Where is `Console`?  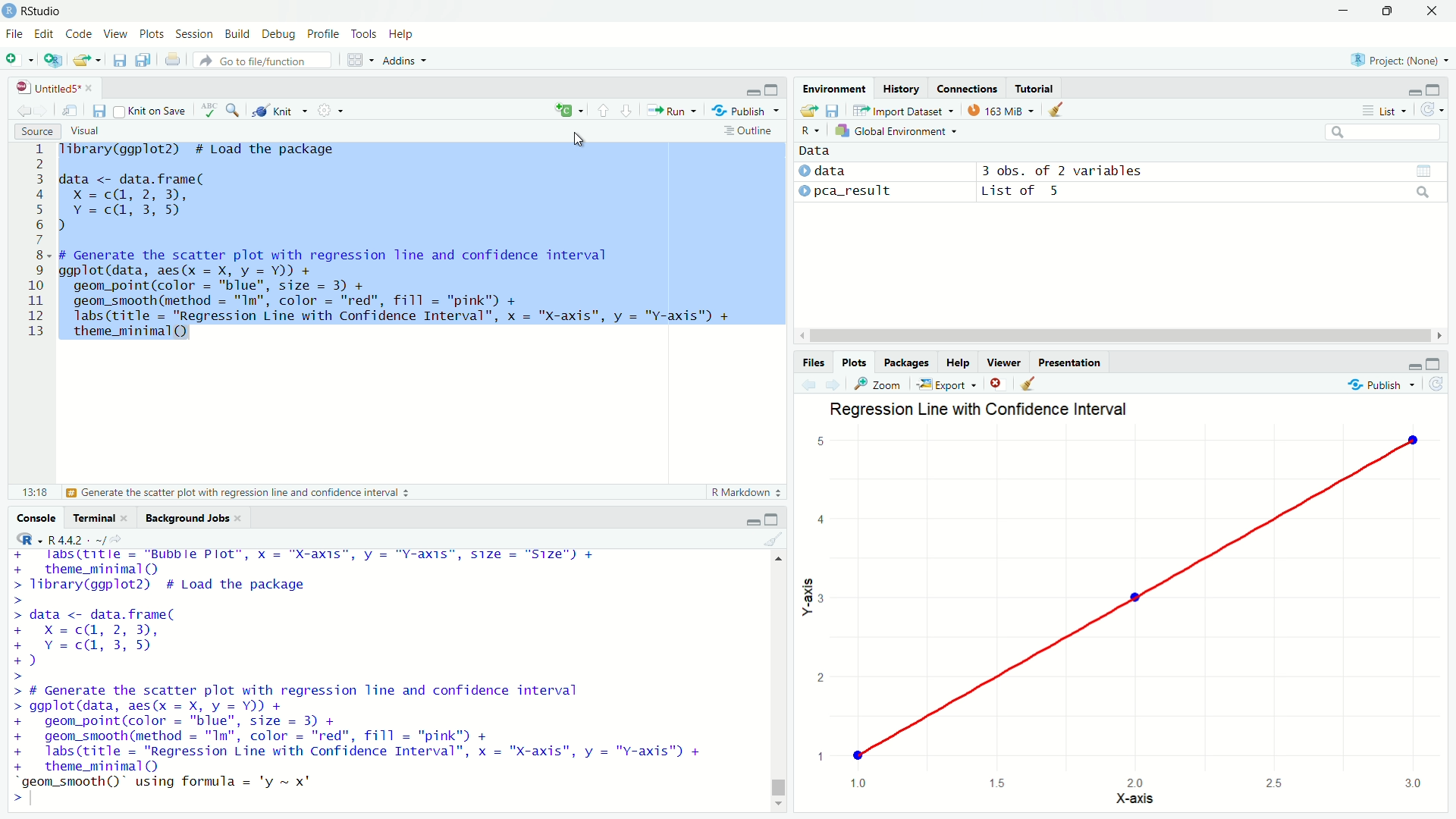 Console is located at coordinates (35, 516).